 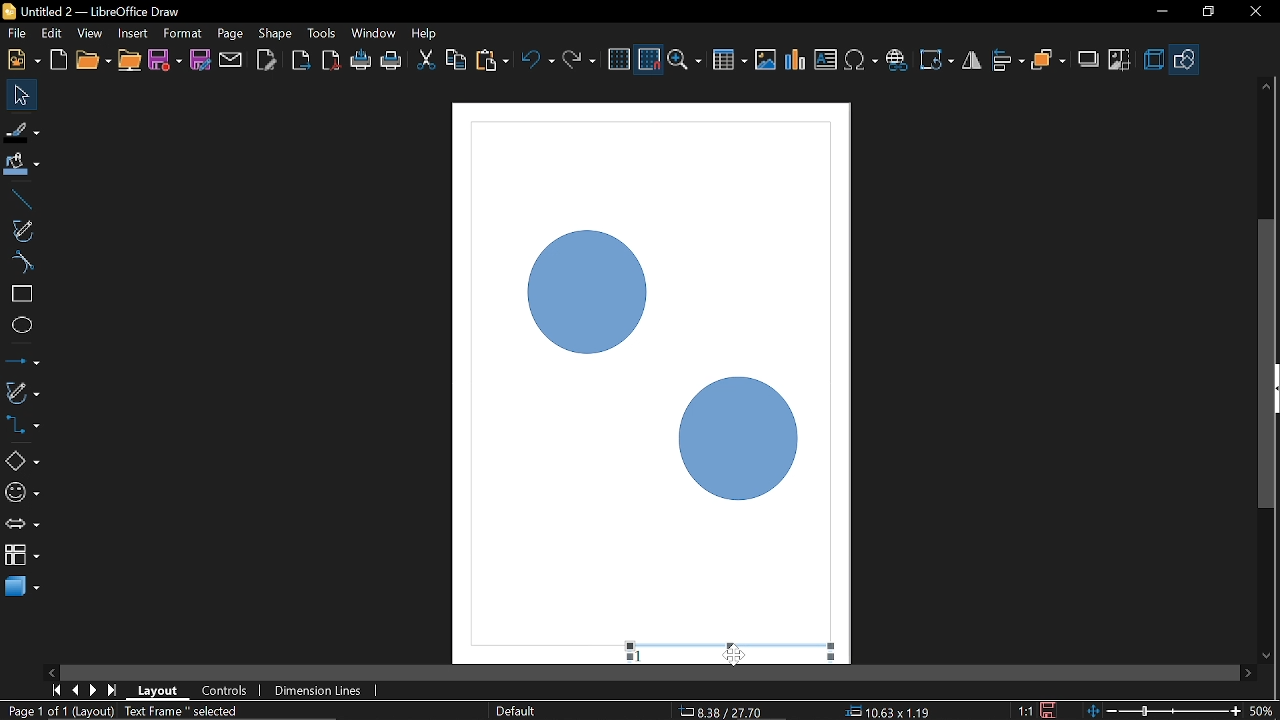 I want to click on Connector, so click(x=22, y=424).